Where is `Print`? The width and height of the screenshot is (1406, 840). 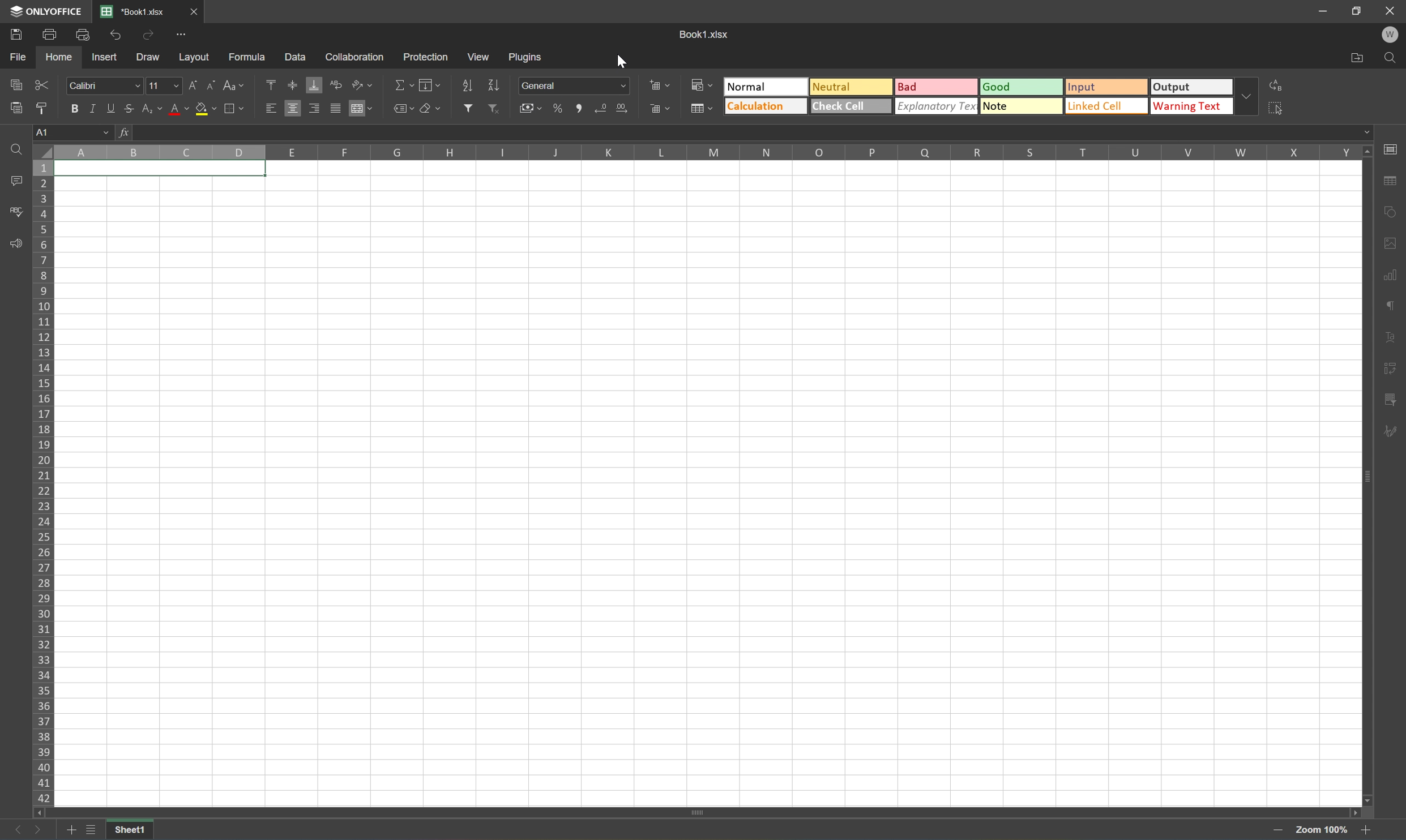 Print is located at coordinates (48, 36).